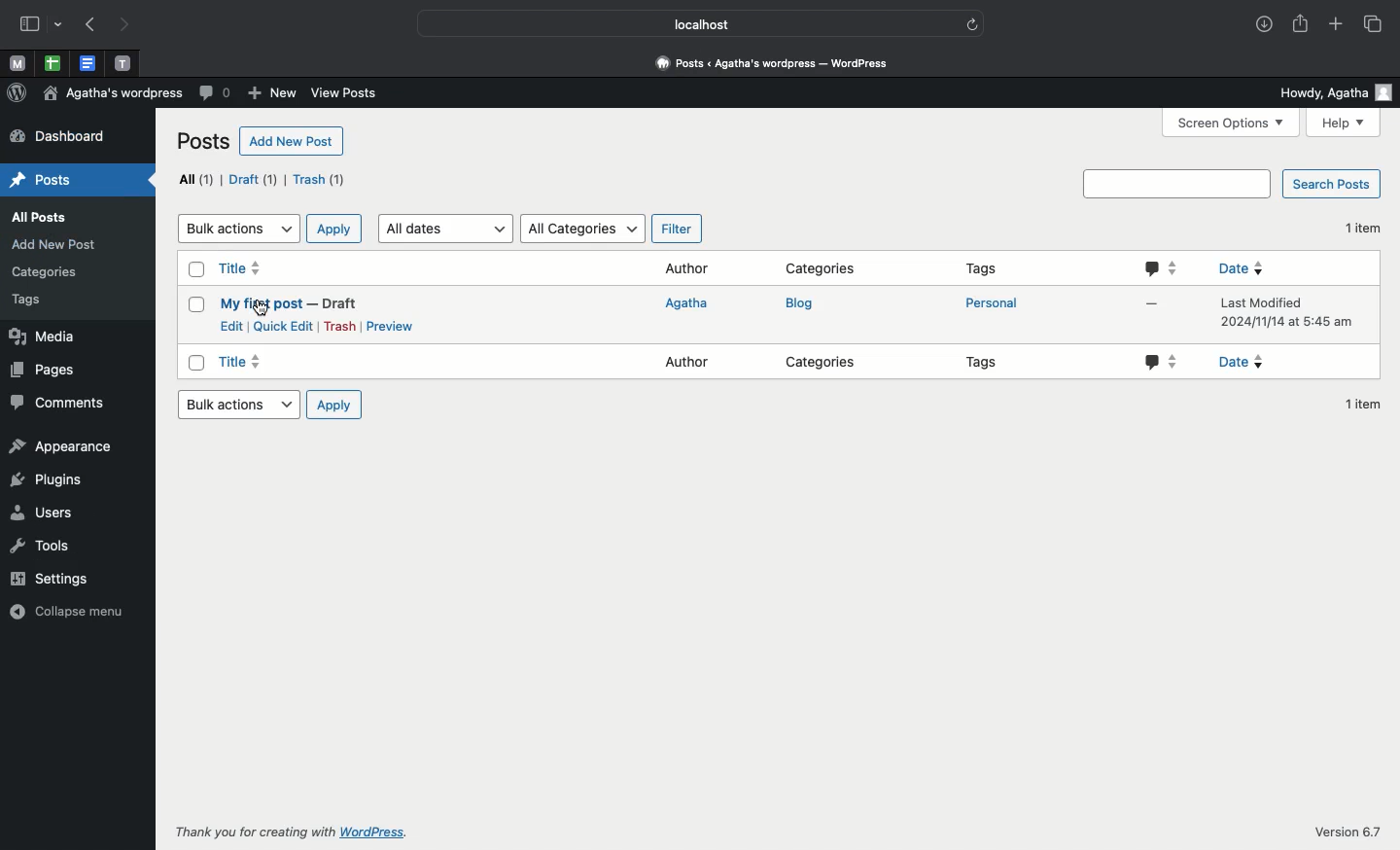 The image size is (1400, 850). What do you see at coordinates (778, 64) in the screenshot?
I see `Dashboard <agatha's wordpress - wordpress` at bounding box center [778, 64].